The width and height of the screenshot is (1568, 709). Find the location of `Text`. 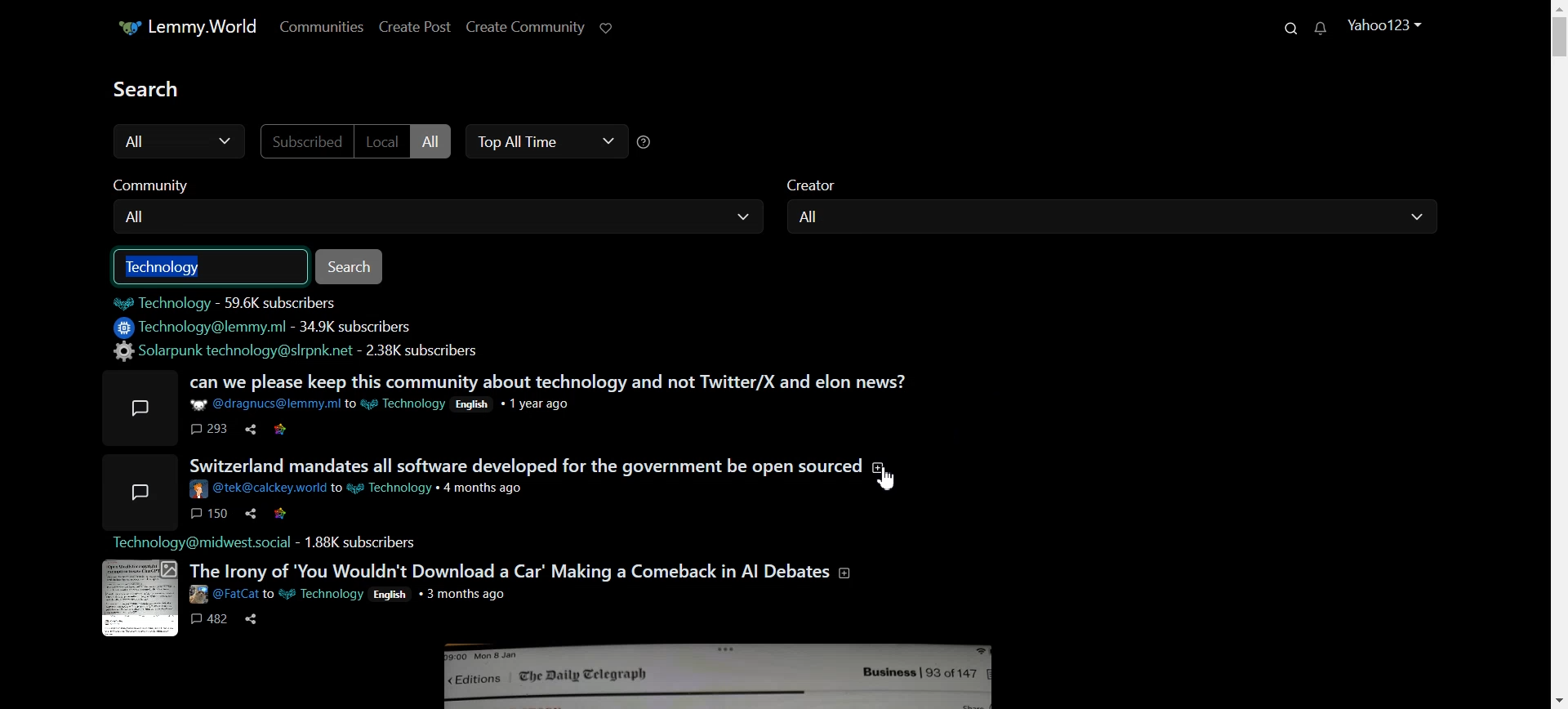

Text is located at coordinates (153, 88).